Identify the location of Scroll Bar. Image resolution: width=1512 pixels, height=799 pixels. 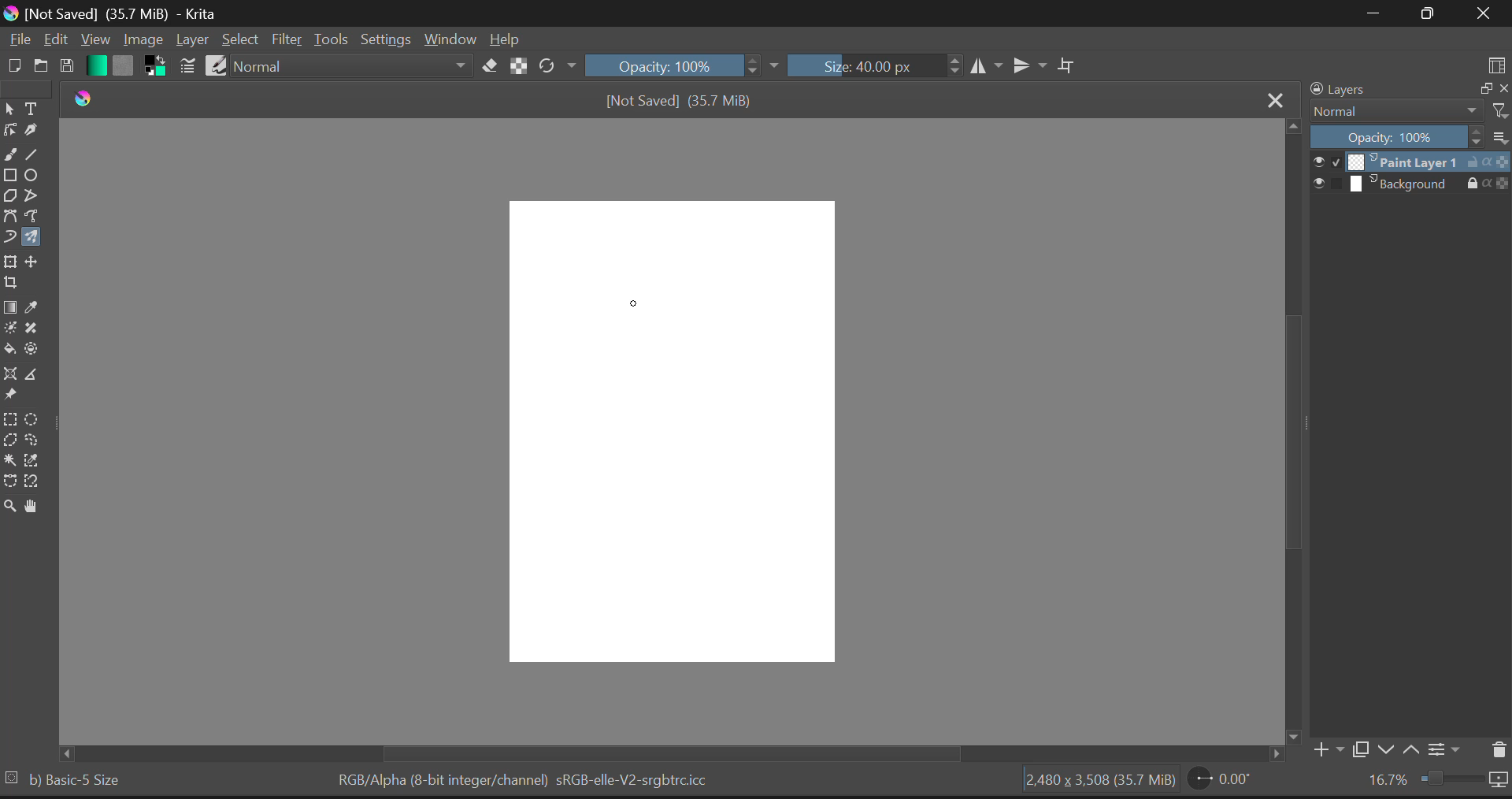
(1293, 420).